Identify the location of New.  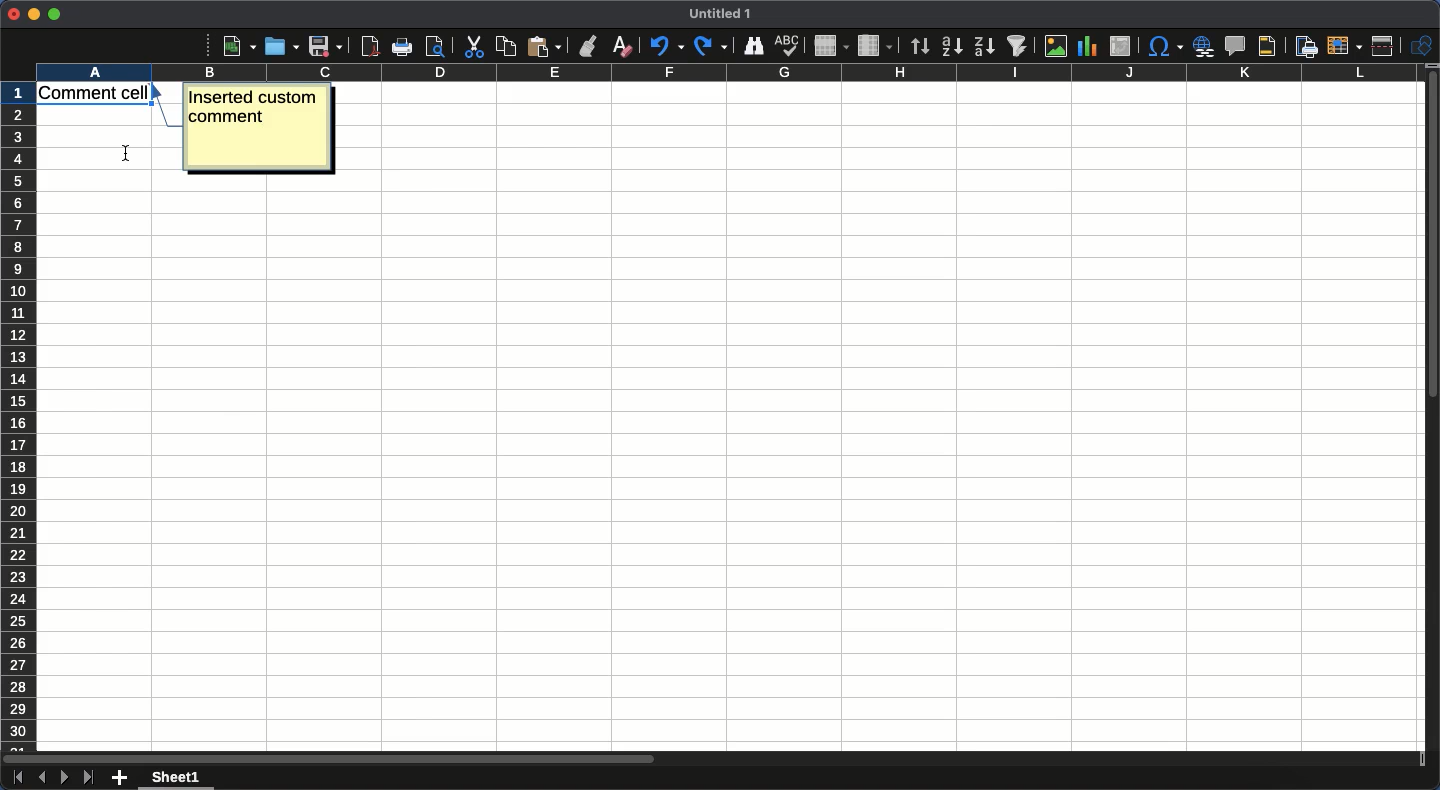
(236, 46).